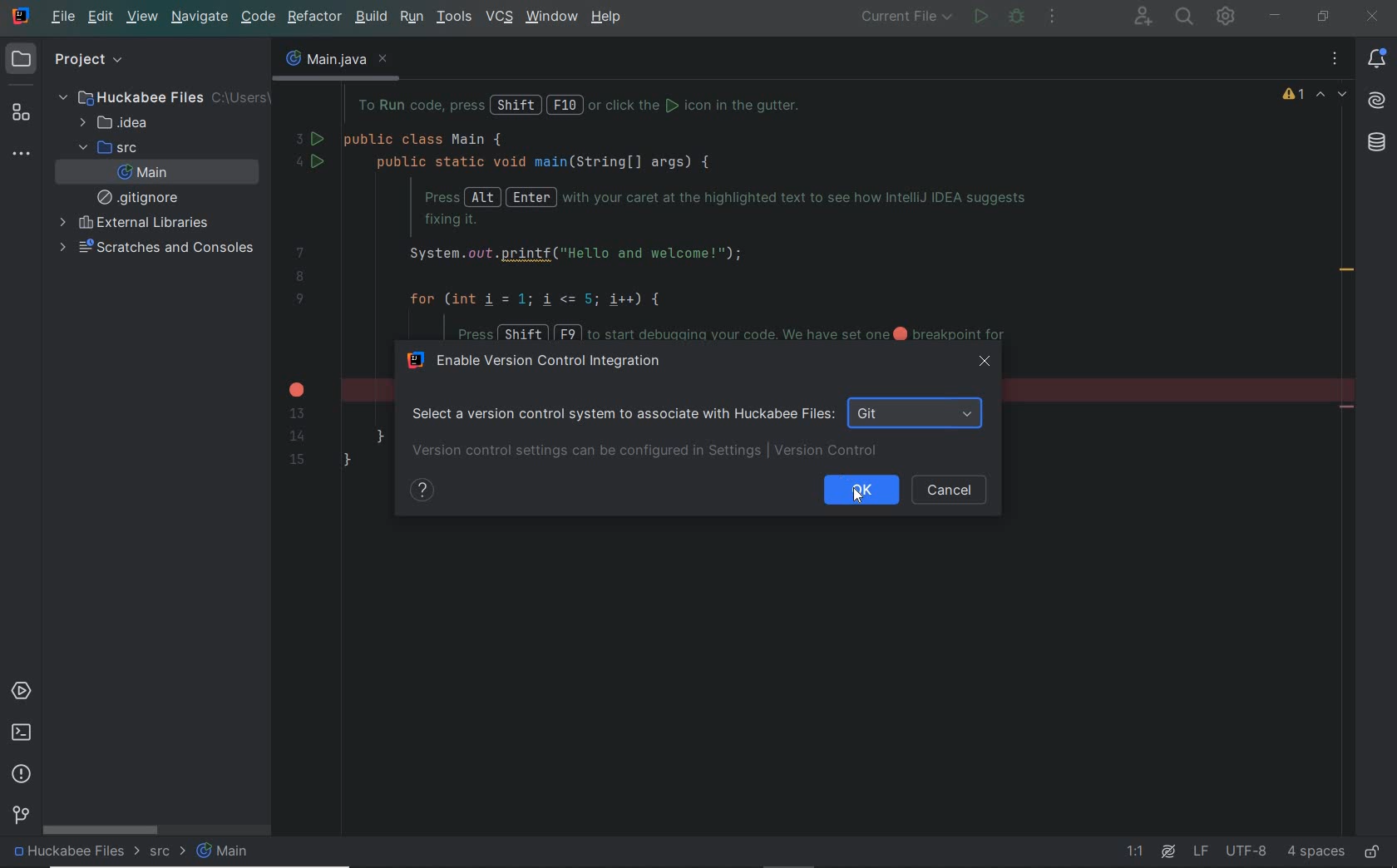 Image resolution: width=1397 pixels, height=868 pixels. I want to click on make file ready only, so click(1370, 851).